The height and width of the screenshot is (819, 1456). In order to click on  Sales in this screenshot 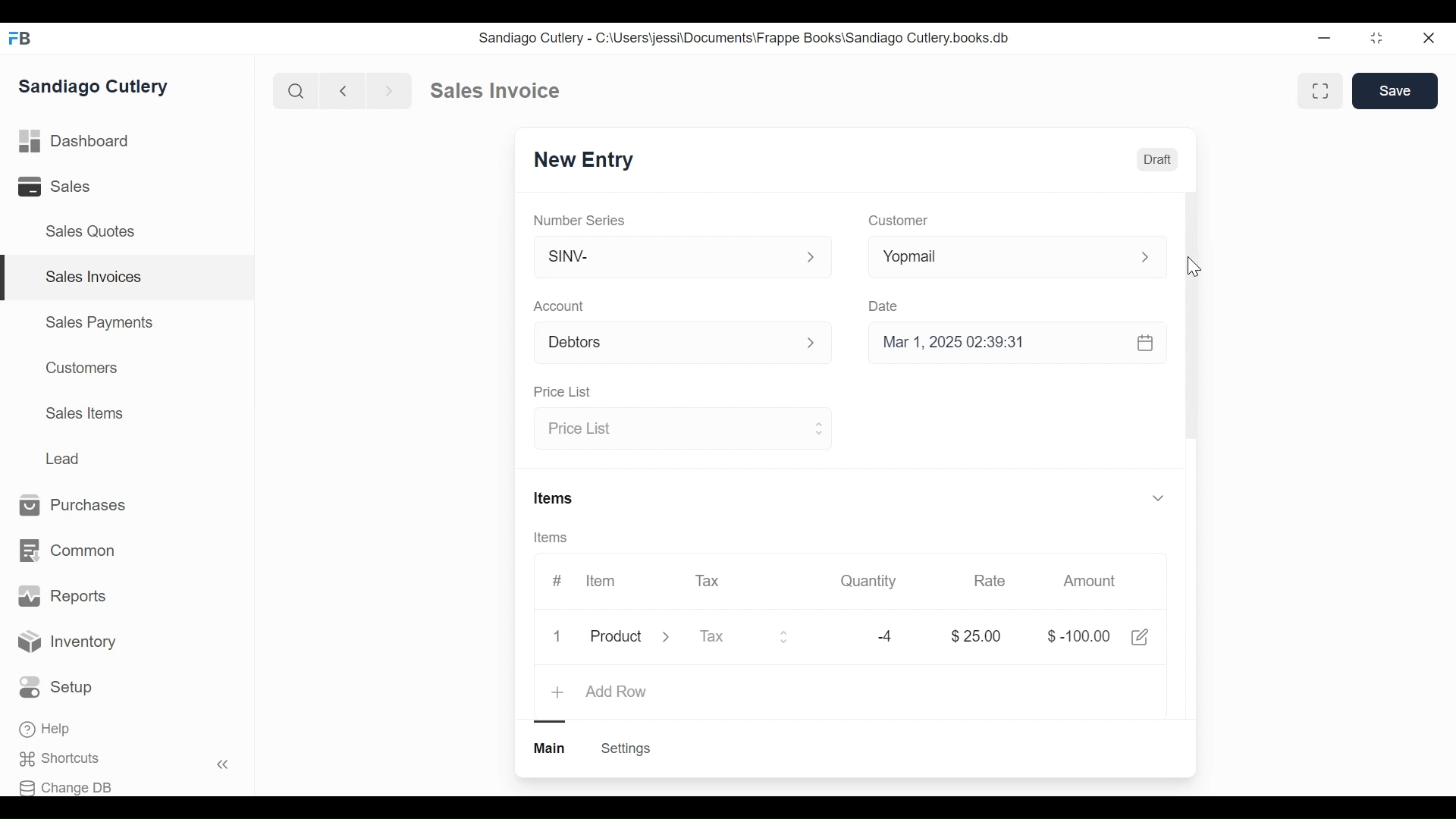, I will do `click(52, 186)`.